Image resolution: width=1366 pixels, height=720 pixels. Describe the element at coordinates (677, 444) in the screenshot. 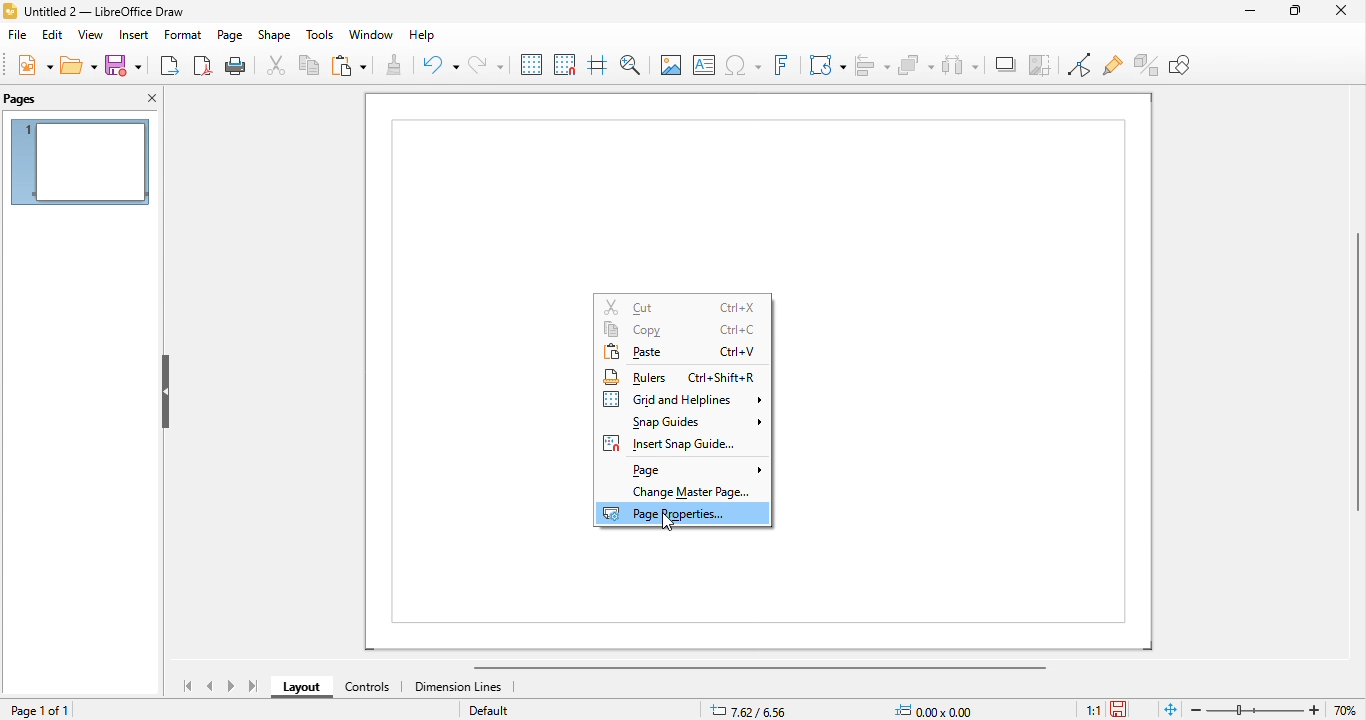

I see `insert snap guides` at that location.